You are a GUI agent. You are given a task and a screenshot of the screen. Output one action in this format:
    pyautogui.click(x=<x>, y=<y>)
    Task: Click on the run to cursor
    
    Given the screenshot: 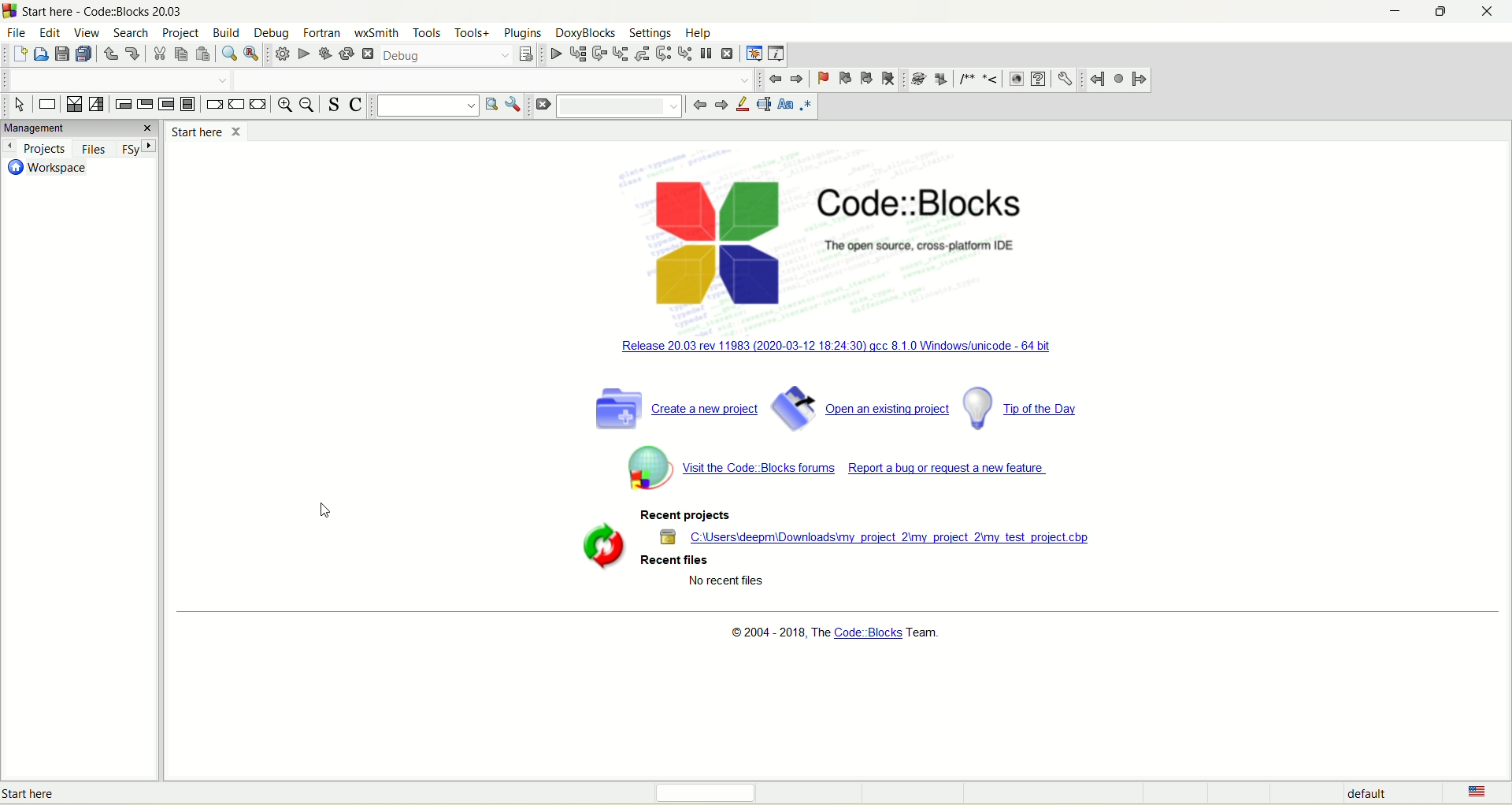 What is the action you would take?
    pyautogui.click(x=577, y=54)
    